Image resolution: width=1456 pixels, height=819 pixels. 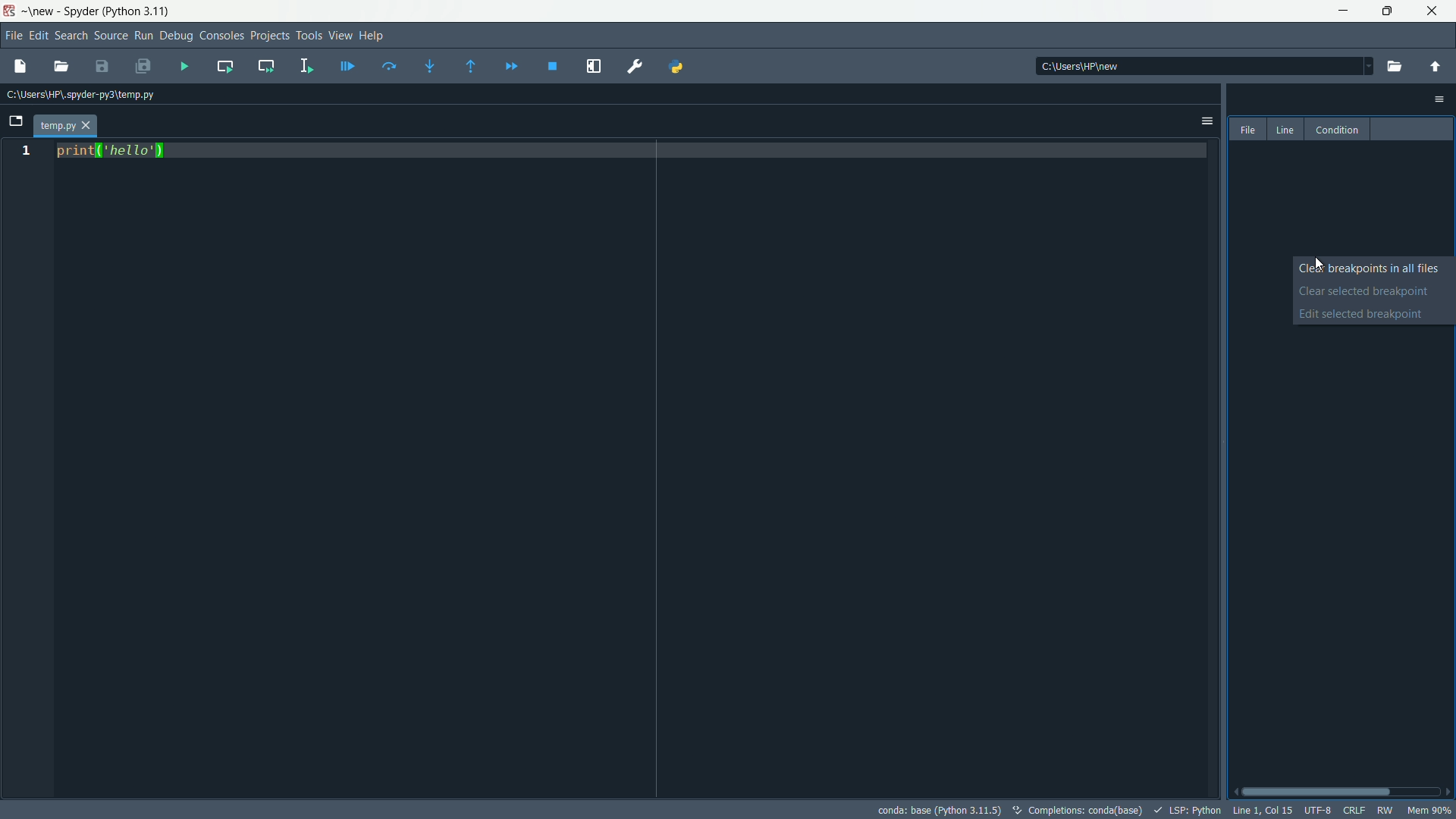 I want to click on file menu, so click(x=11, y=36).